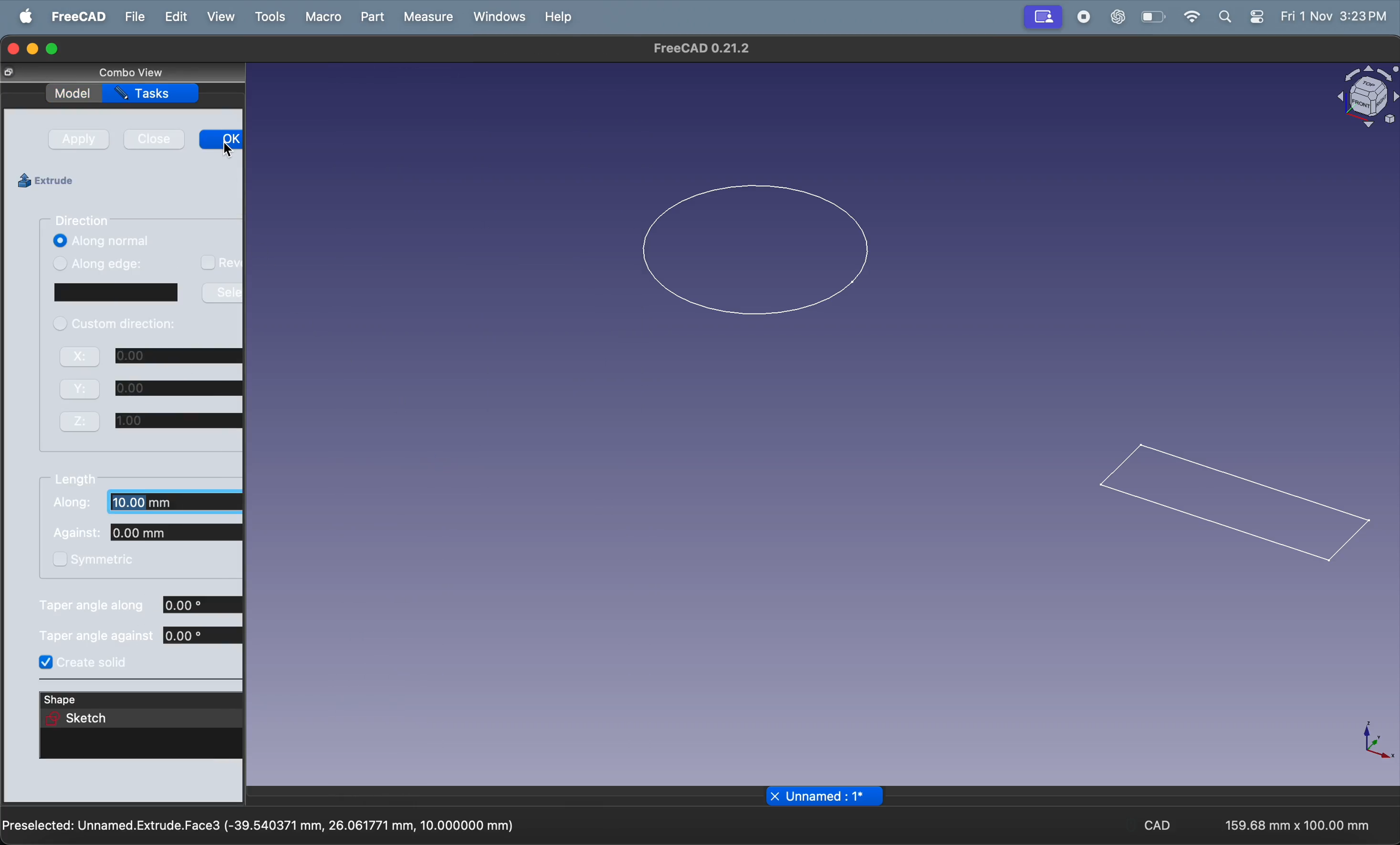 The height and width of the screenshot is (845, 1400). I want to click on along:, so click(69, 502).